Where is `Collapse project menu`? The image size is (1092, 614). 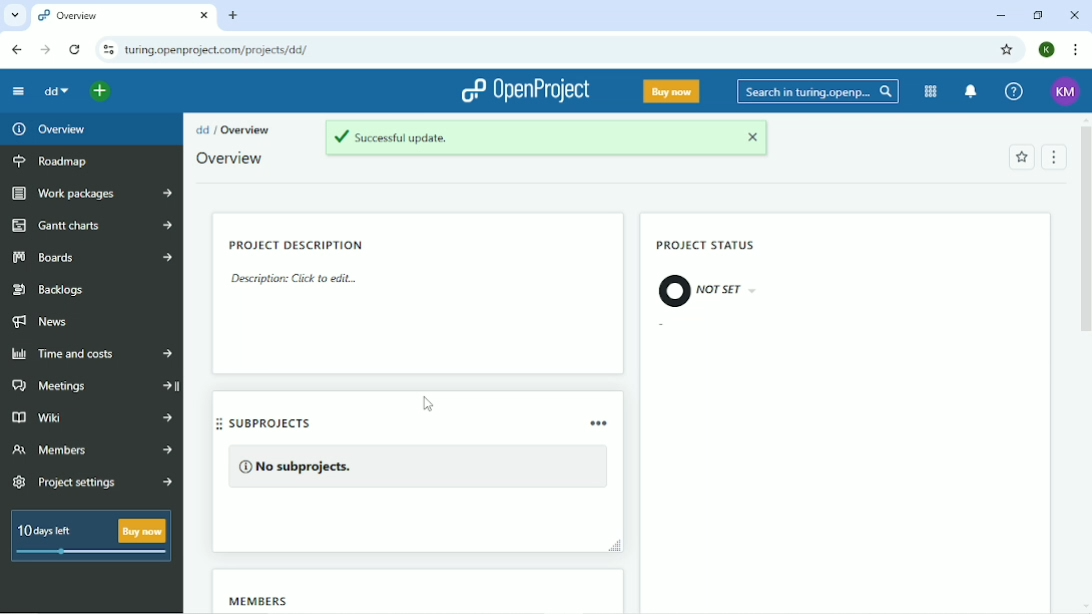 Collapse project menu is located at coordinates (19, 92).